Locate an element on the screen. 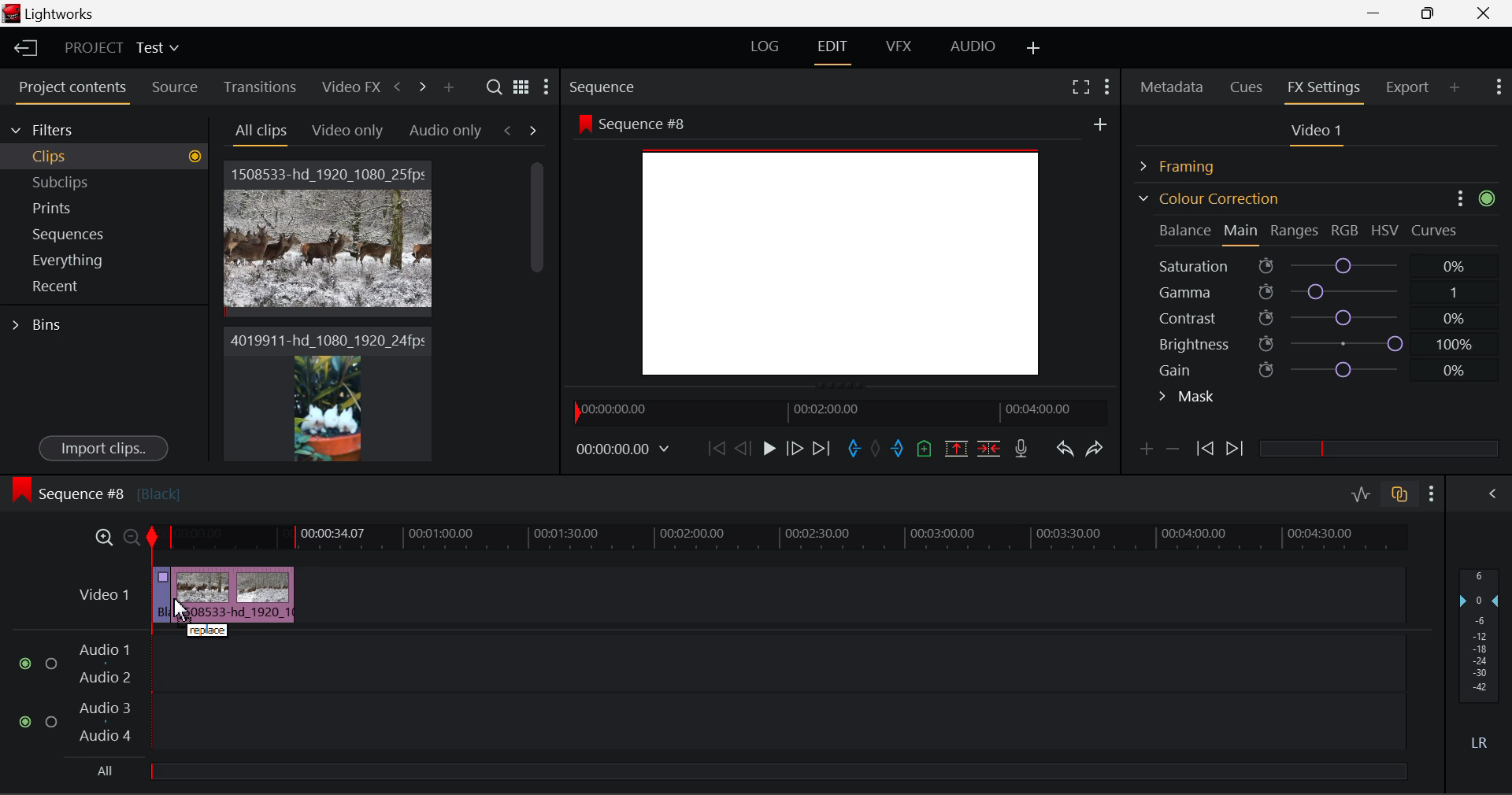 The width and height of the screenshot is (1512, 795). Next Panel is located at coordinates (420, 86).